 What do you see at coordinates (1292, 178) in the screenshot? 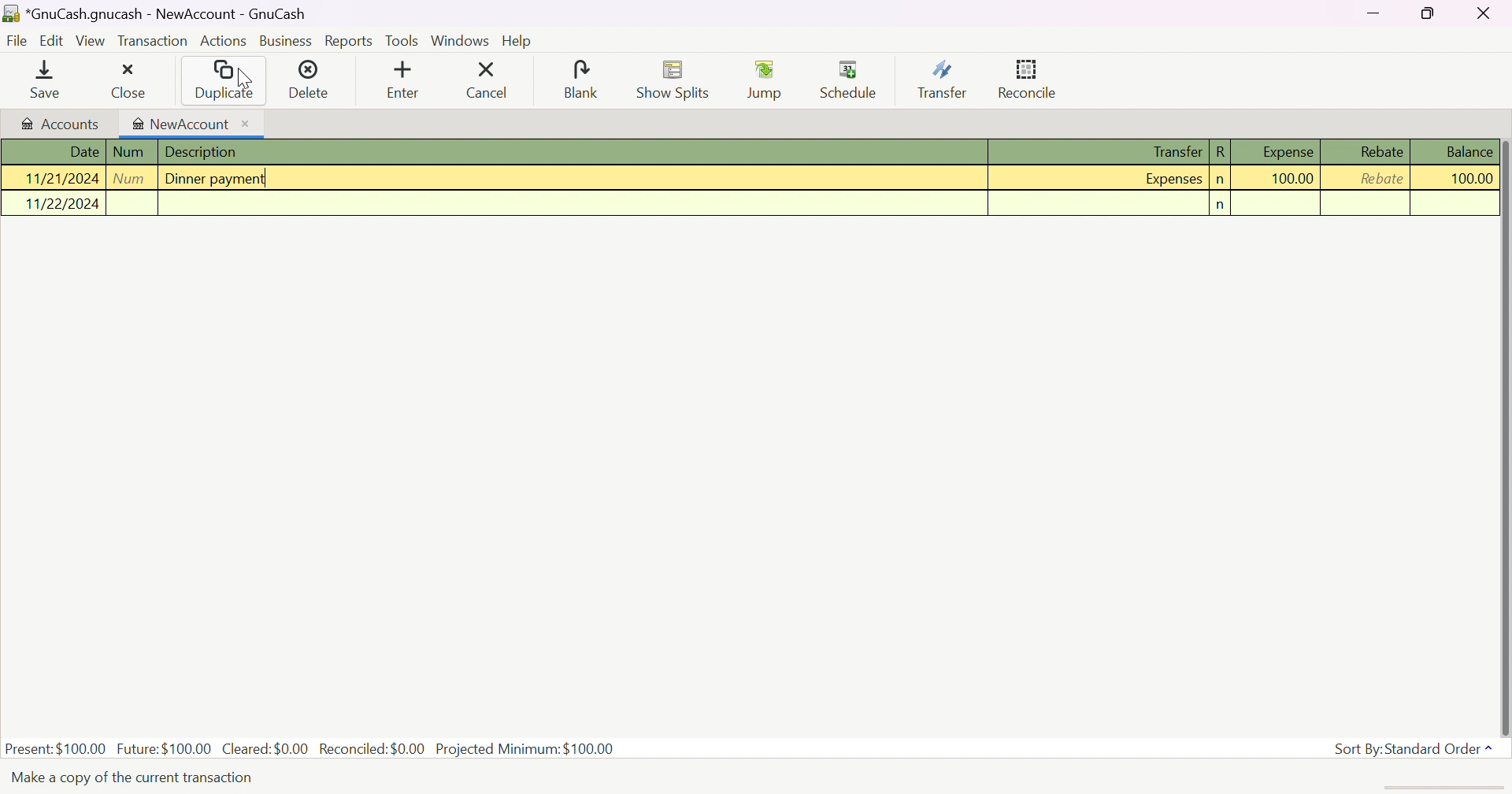
I see `100.00` at bounding box center [1292, 178].